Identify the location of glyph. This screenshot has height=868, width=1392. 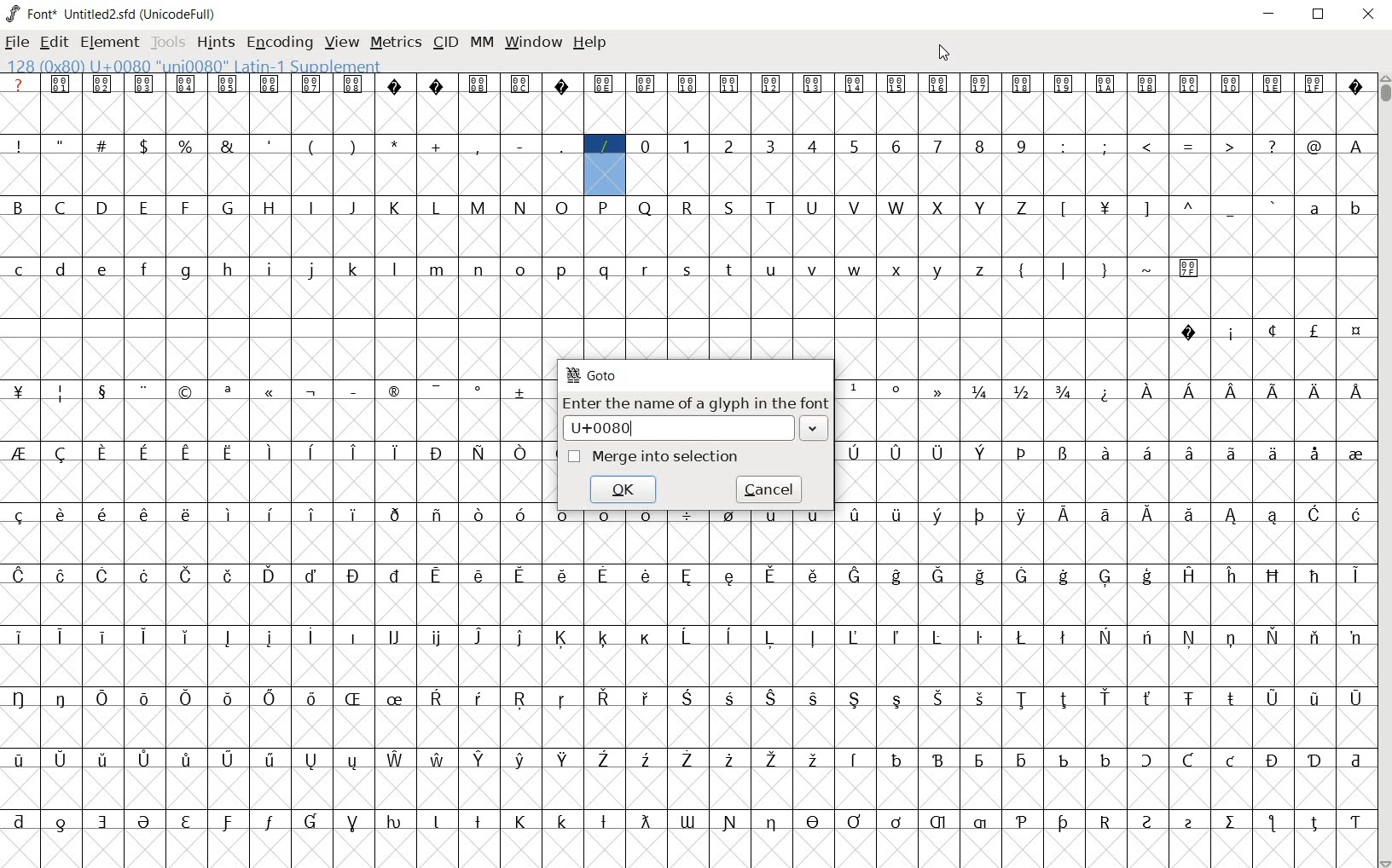
(1273, 576).